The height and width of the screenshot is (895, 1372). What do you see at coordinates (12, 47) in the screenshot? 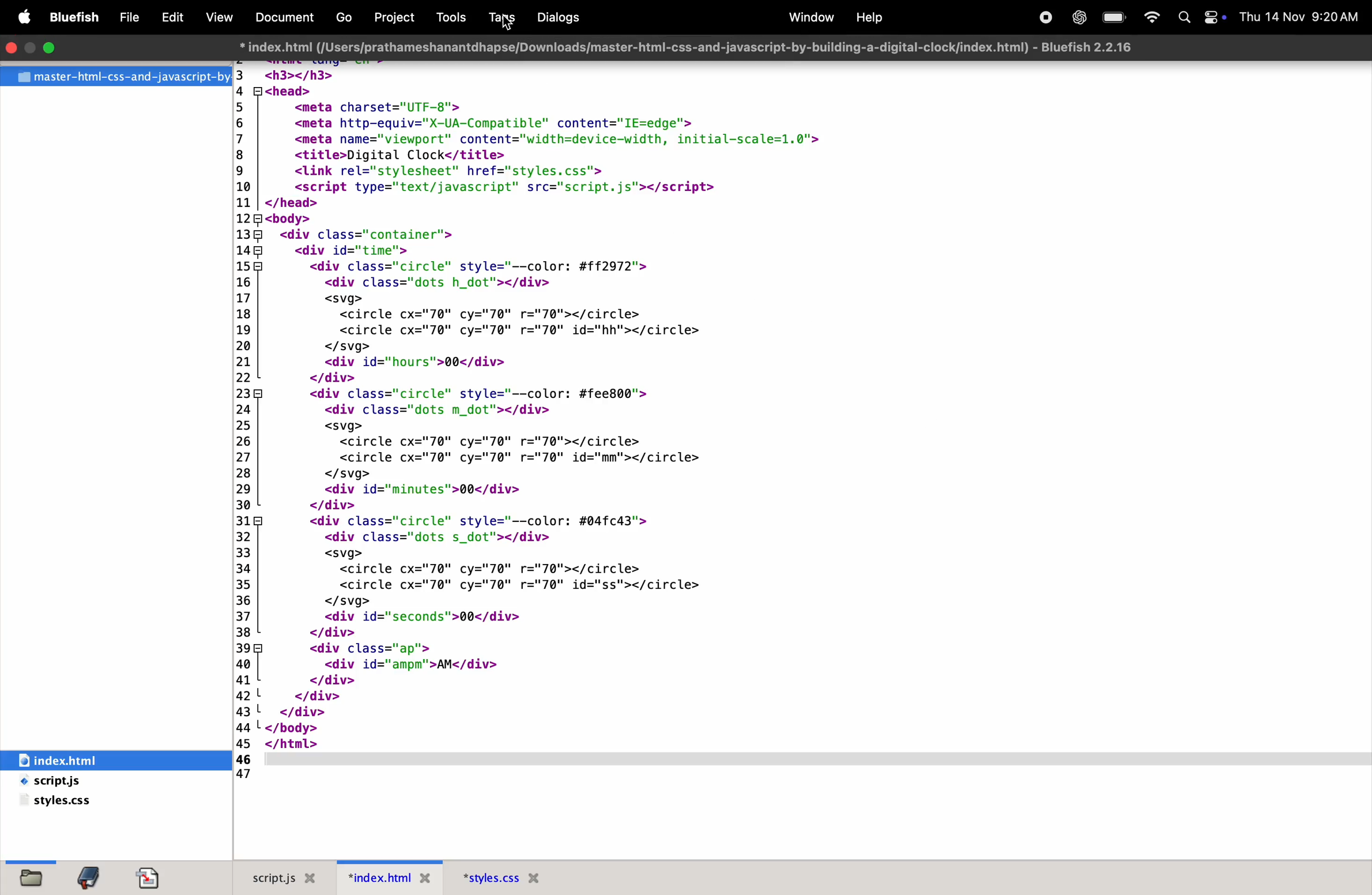
I see `closing window` at bounding box center [12, 47].